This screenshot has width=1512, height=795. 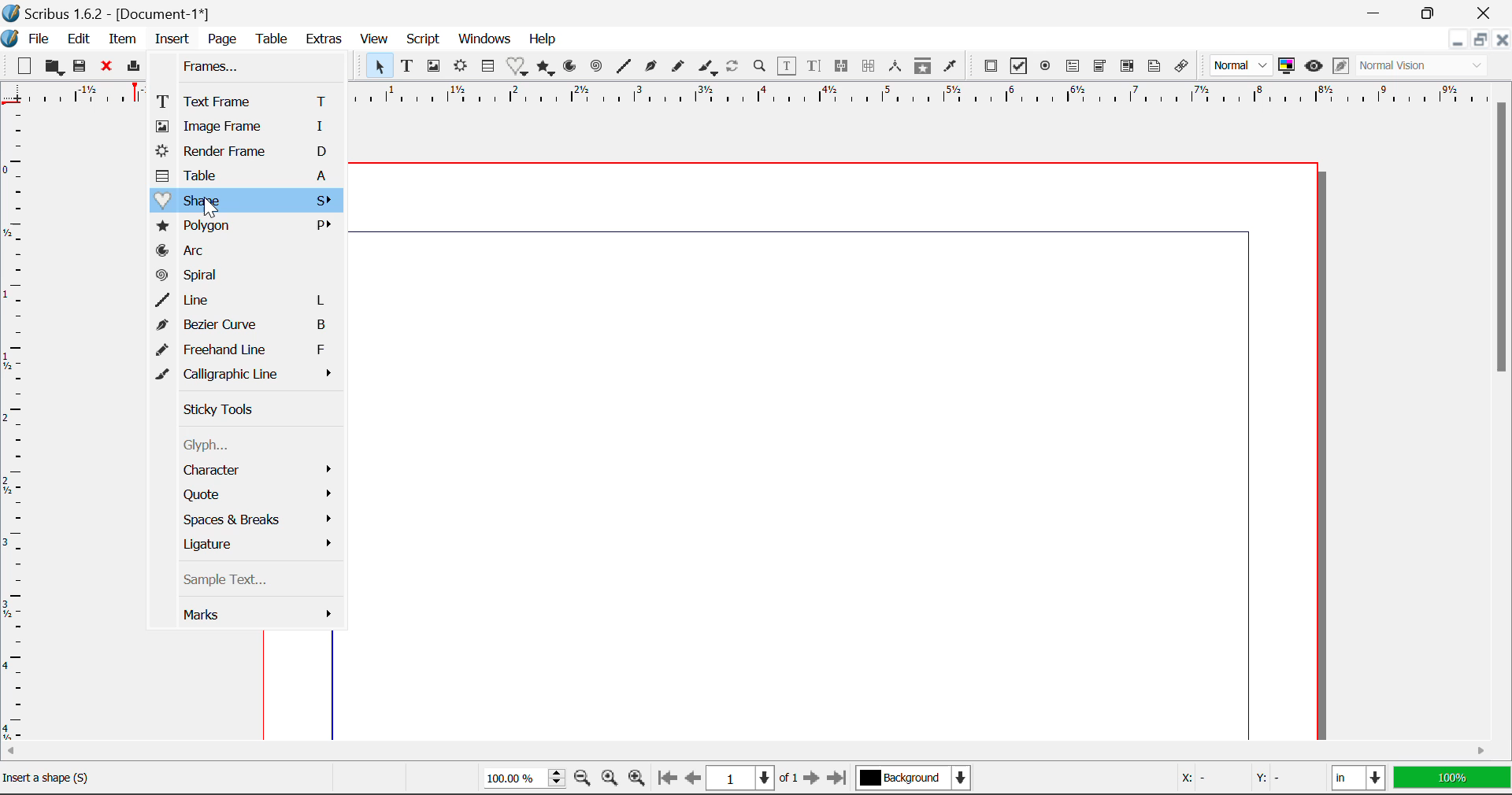 I want to click on New, so click(x=24, y=68).